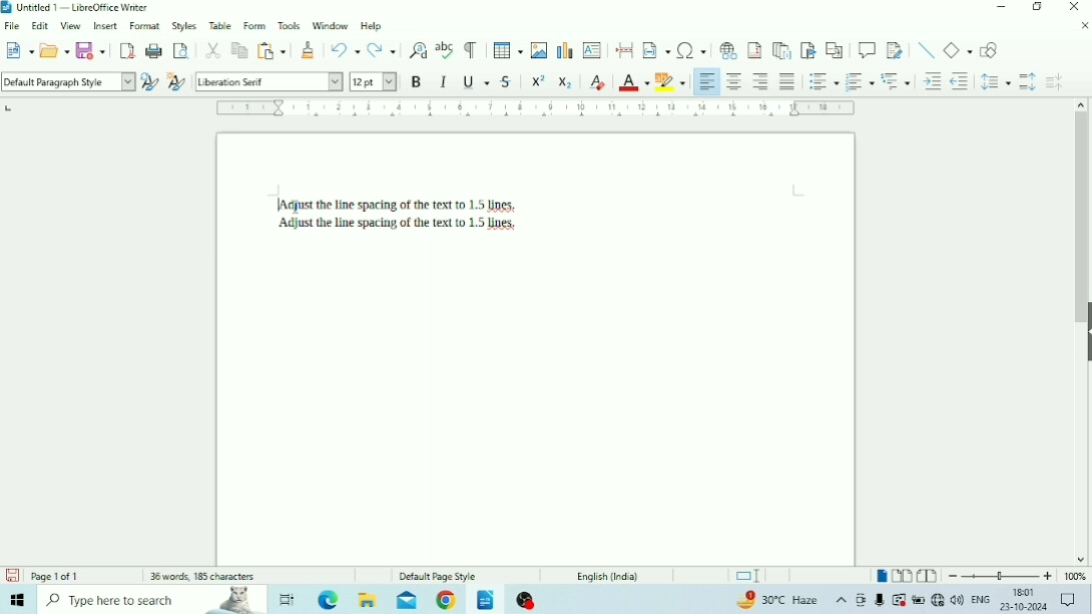  I want to click on Close Document, so click(1083, 26).